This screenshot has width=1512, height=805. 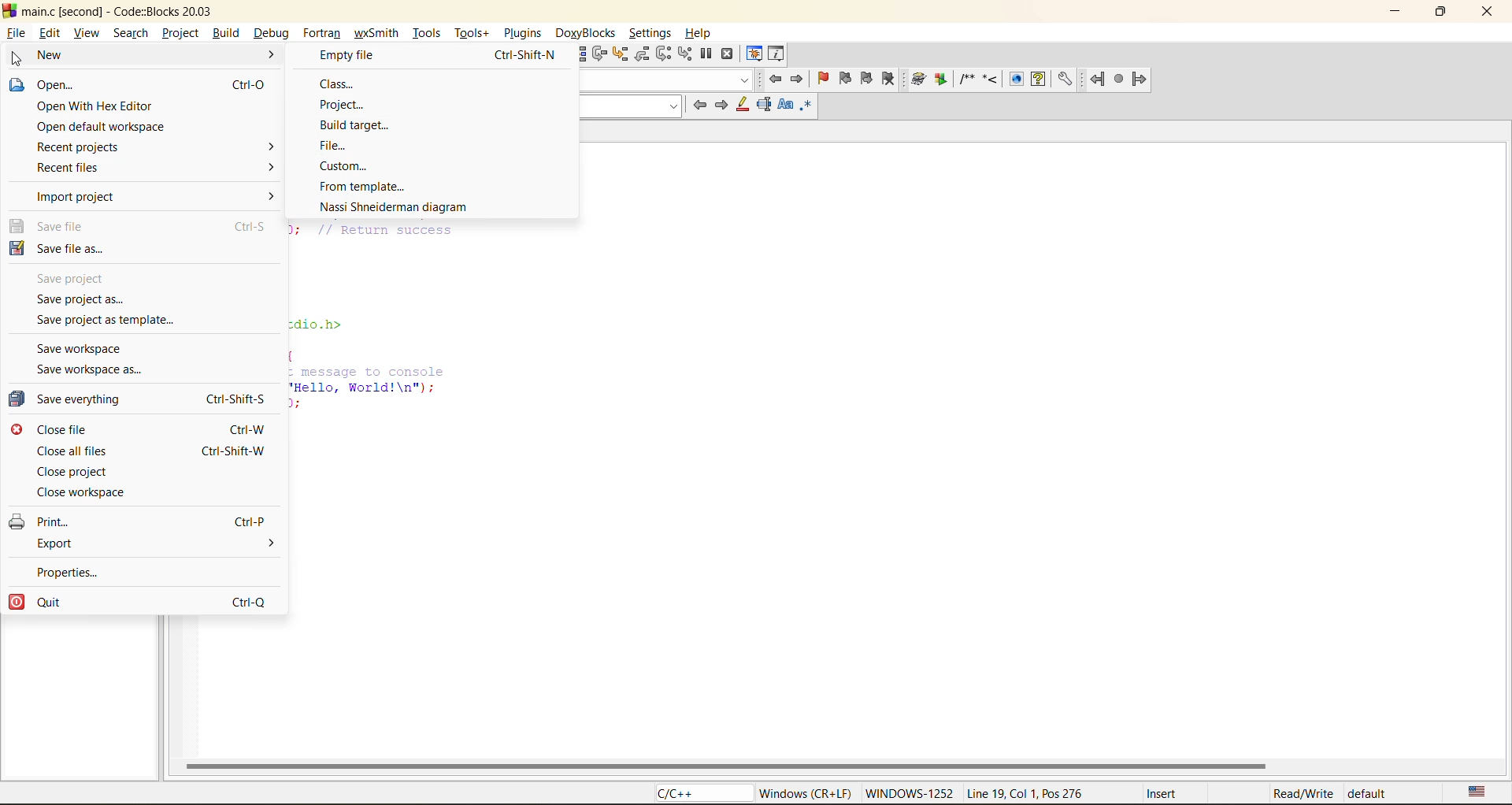 What do you see at coordinates (807, 108) in the screenshot?
I see `use regex` at bounding box center [807, 108].